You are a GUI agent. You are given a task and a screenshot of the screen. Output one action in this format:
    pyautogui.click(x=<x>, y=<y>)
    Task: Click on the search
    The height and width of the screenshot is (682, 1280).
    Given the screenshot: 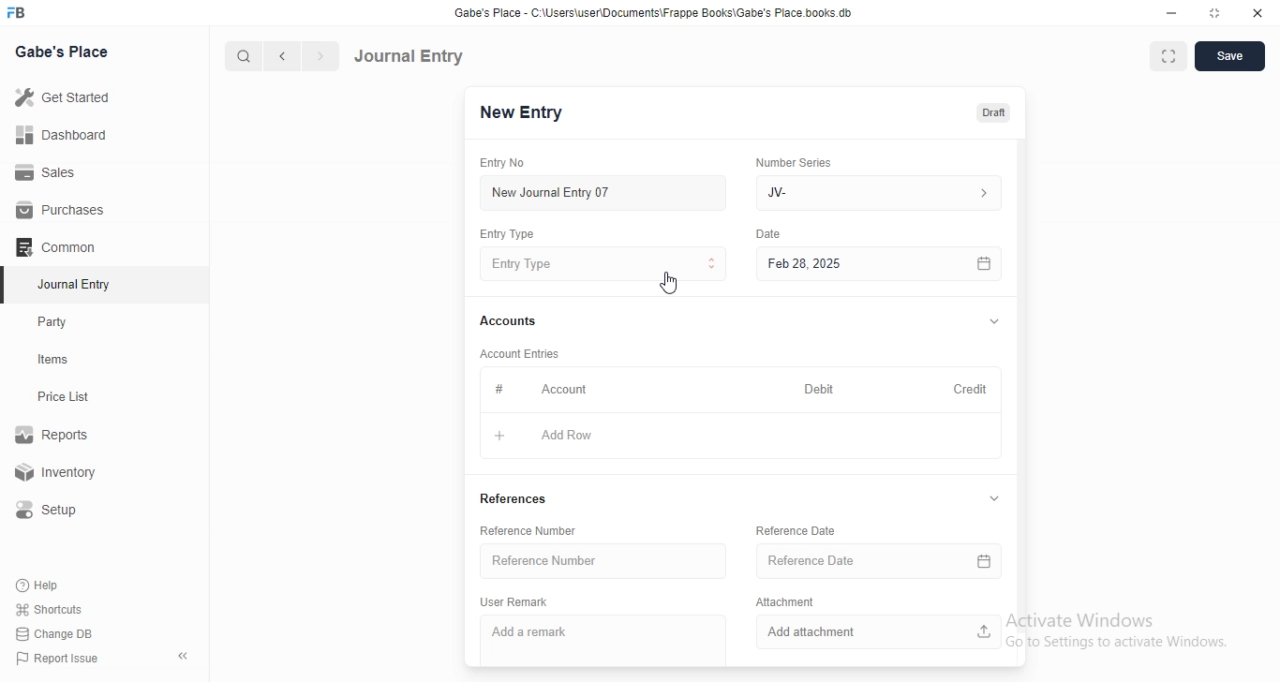 What is the action you would take?
    pyautogui.click(x=241, y=56)
    